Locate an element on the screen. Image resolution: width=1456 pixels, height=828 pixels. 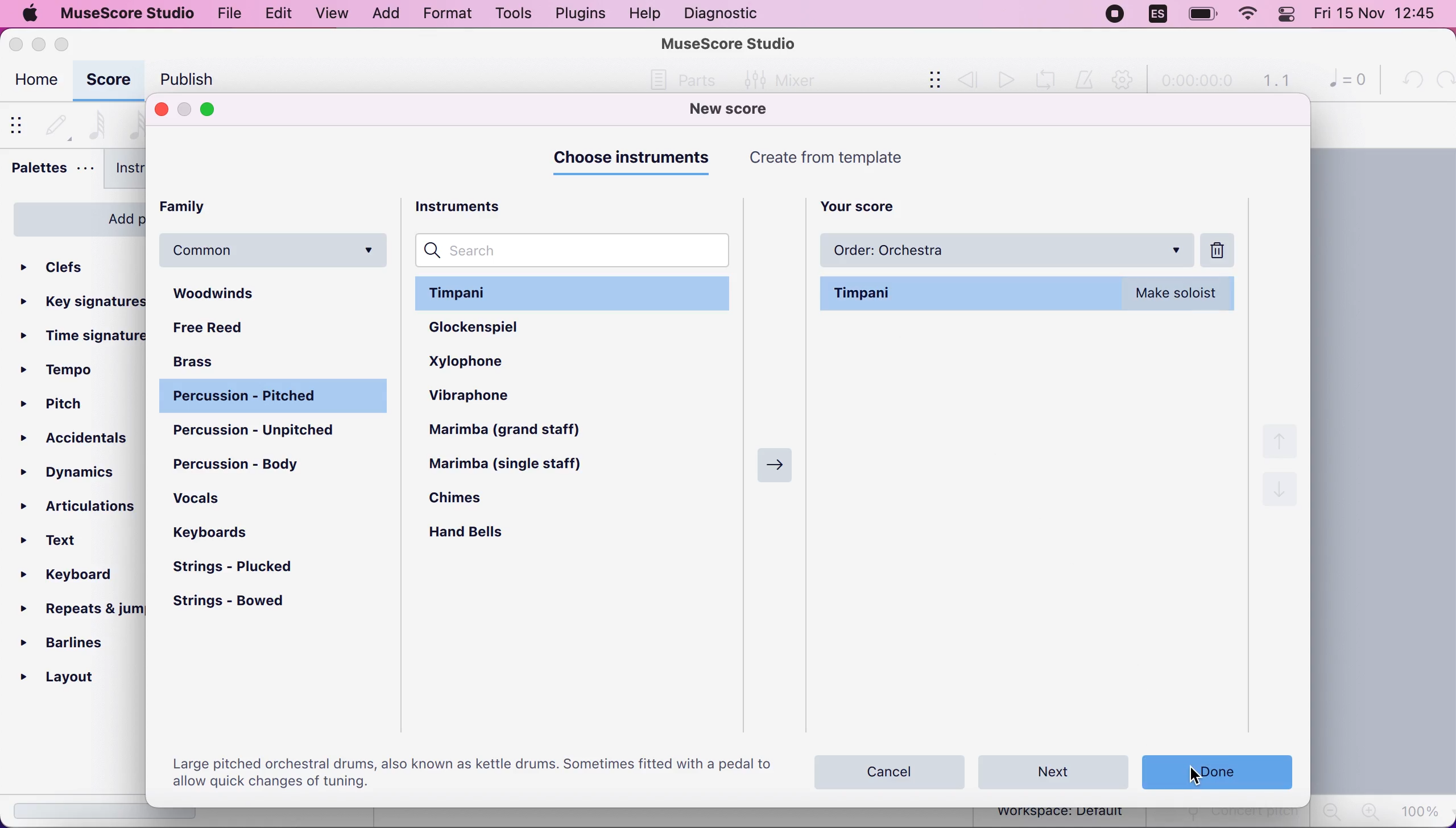
language is located at coordinates (1157, 14).